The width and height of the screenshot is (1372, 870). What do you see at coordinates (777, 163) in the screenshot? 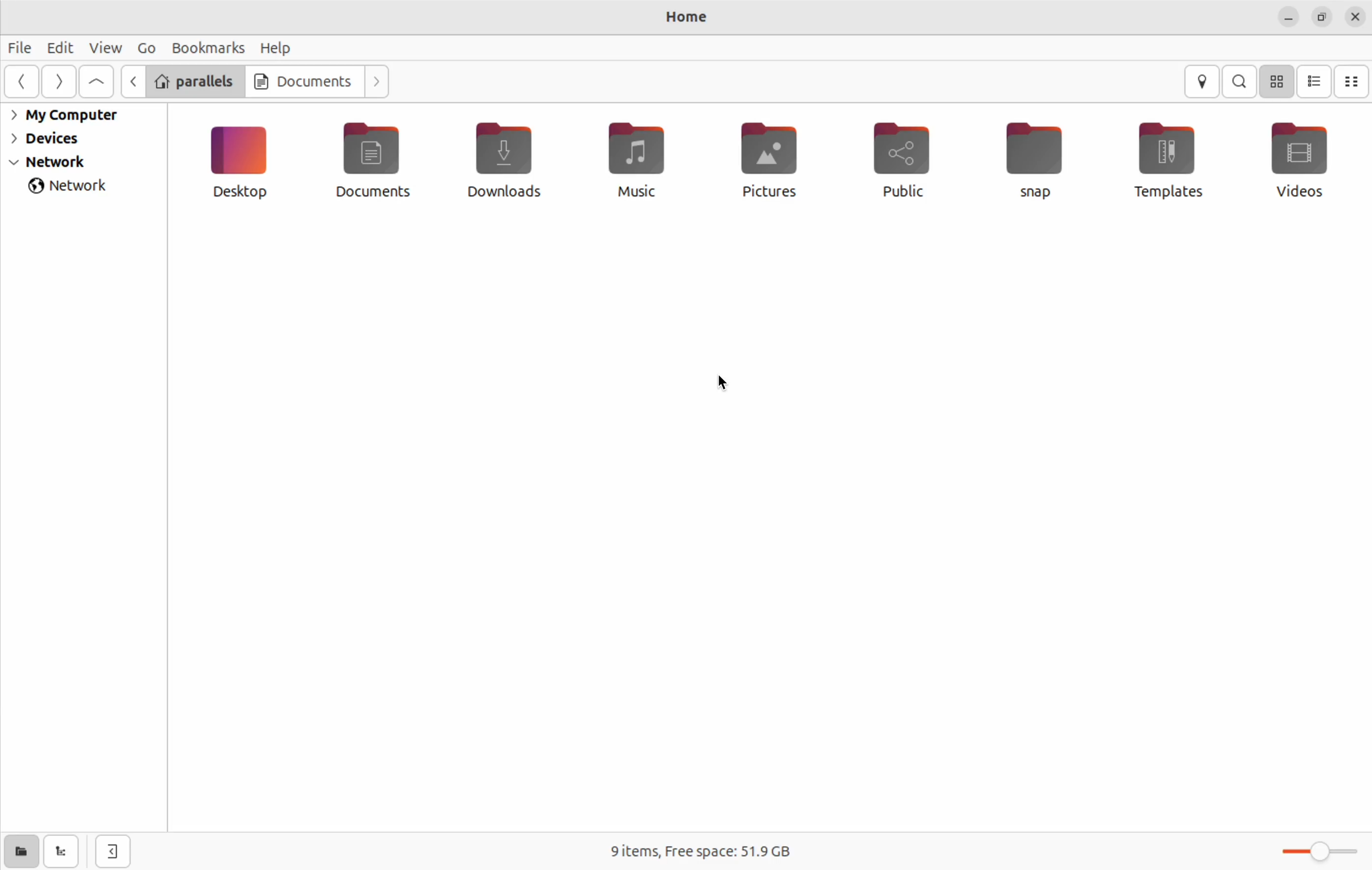
I see `pictures file` at bounding box center [777, 163].